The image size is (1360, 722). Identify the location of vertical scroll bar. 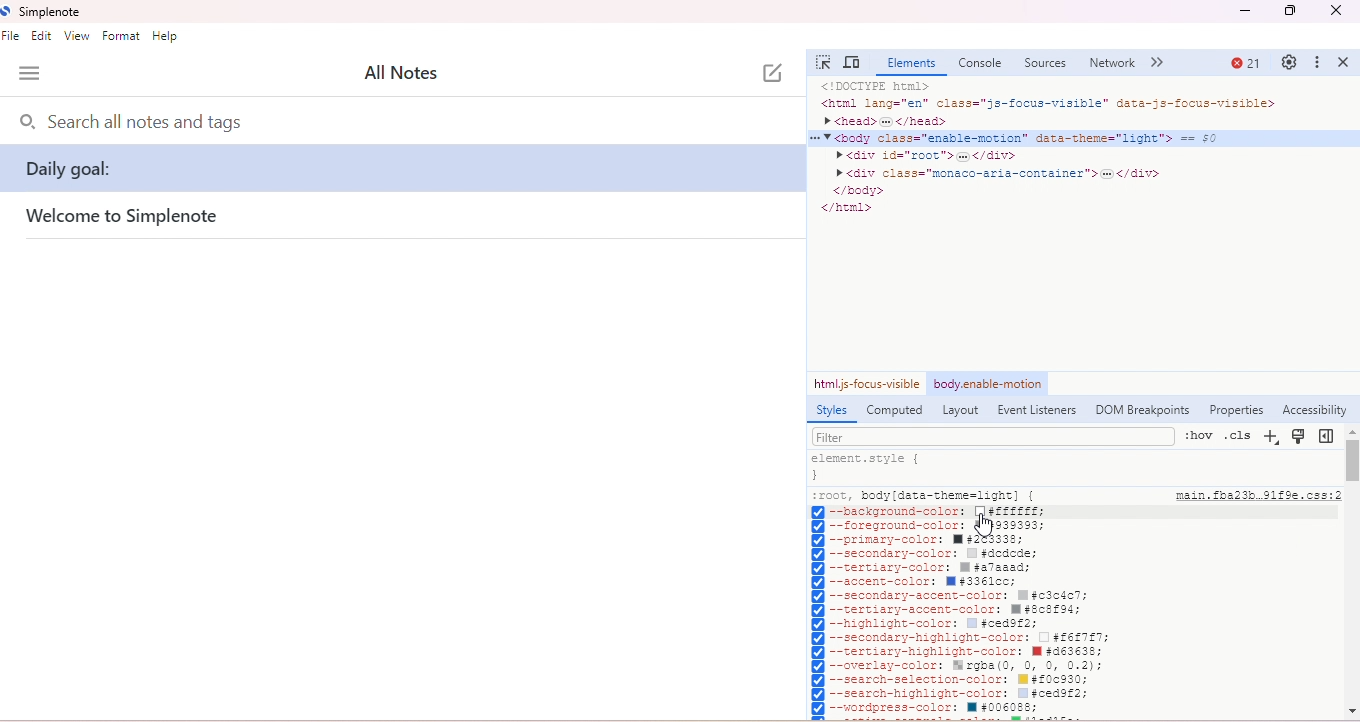
(1352, 458).